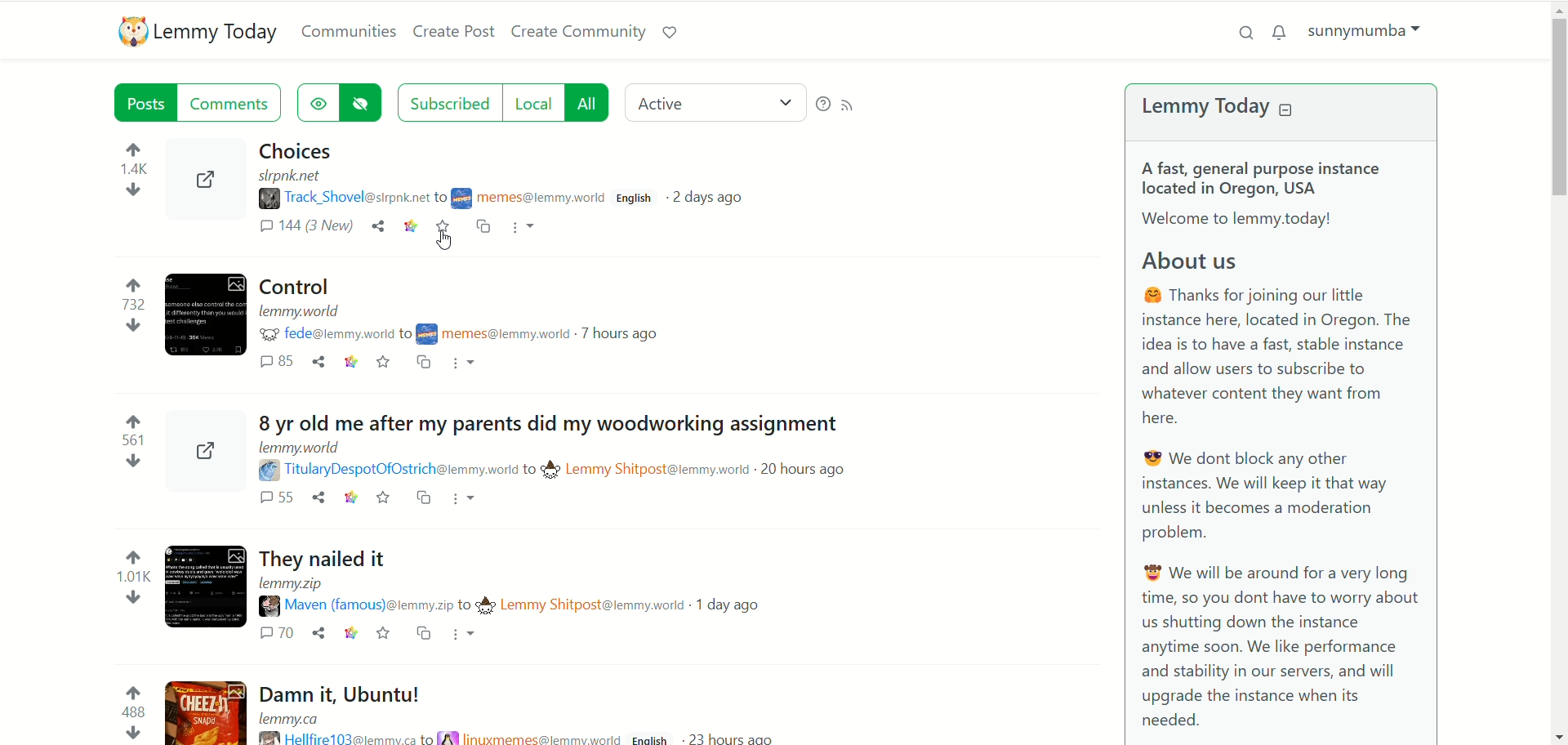 The width and height of the screenshot is (1568, 745). Describe the element at coordinates (493, 470) in the screenshot. I see `Poster details` at that location.